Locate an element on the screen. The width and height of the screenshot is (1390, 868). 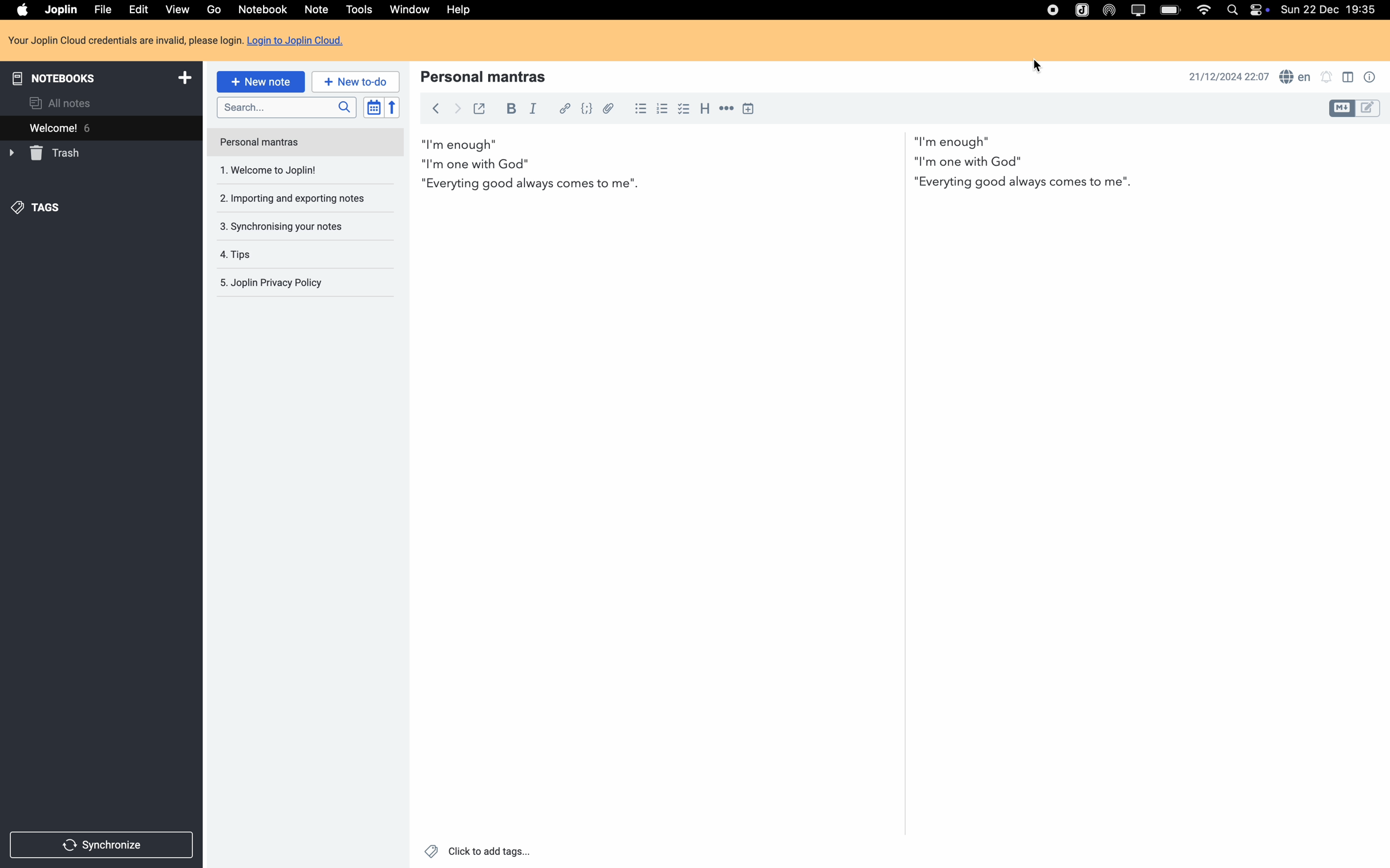
importing and exporting notes is located at coordinates (289, 200).